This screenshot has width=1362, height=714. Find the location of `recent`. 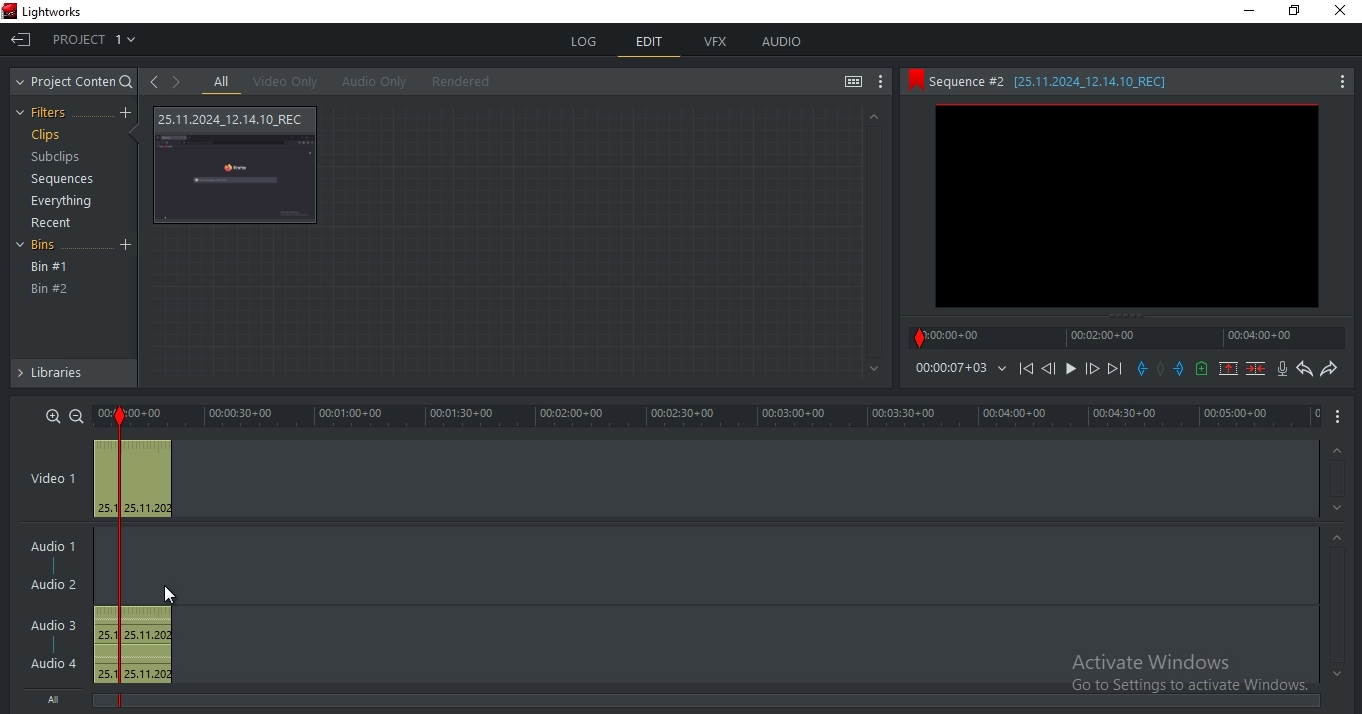

recent is located at coordinates (54, 223).